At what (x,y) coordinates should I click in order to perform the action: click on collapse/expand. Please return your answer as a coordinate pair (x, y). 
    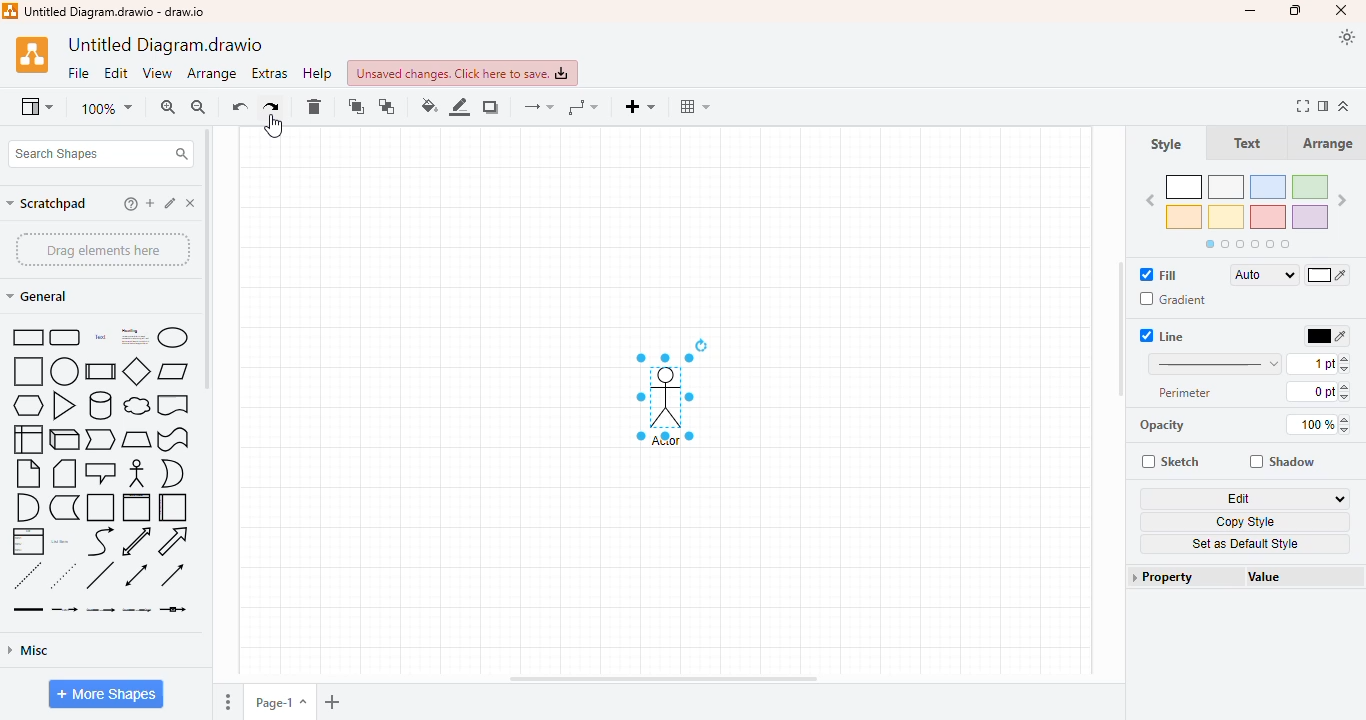
    Looking at the image, I should click on (1344, 106).